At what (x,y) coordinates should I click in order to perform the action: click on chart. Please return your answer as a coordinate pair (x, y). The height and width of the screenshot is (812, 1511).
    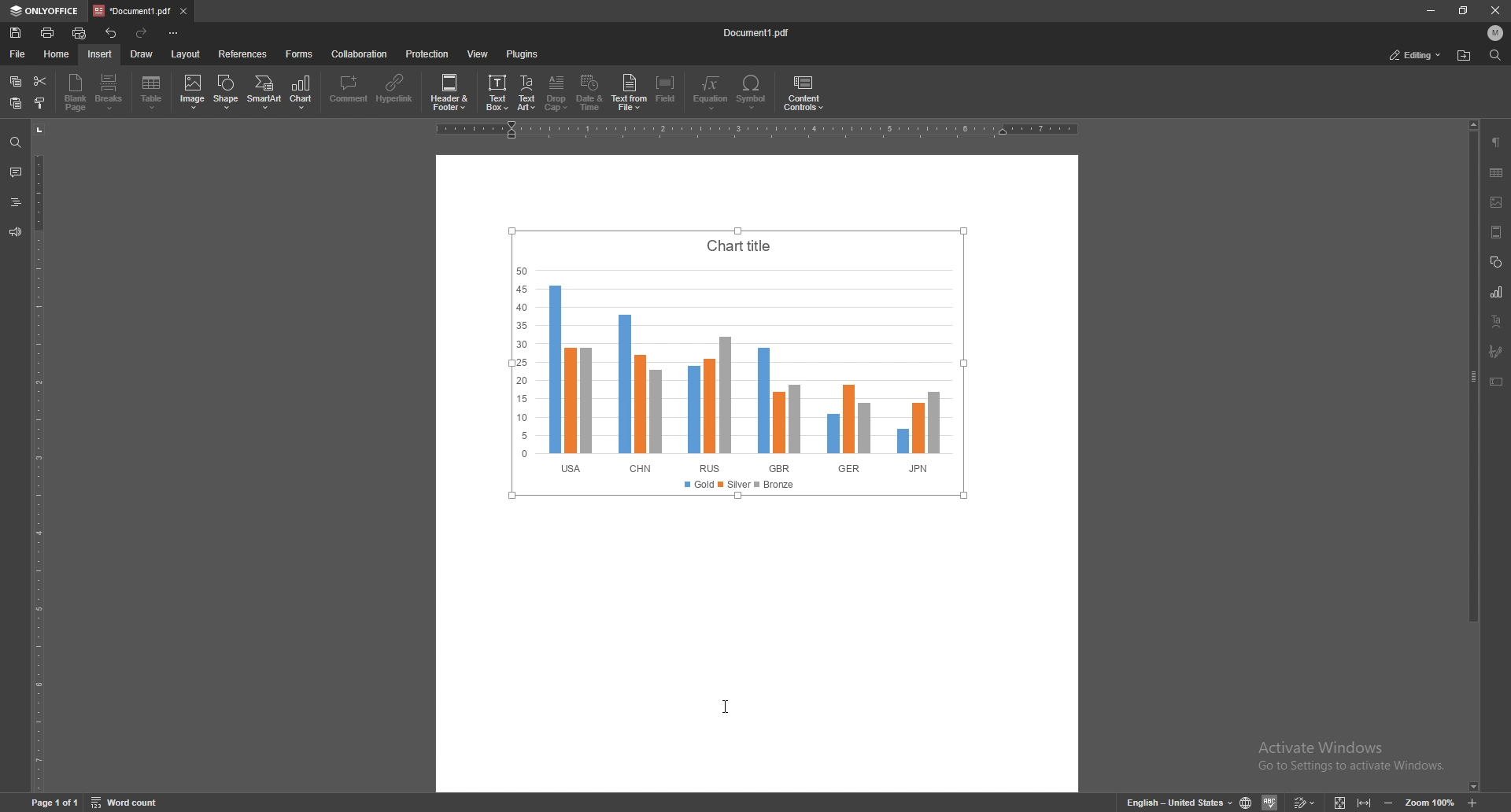
    Looking at the image, I should click on (1498, 290).